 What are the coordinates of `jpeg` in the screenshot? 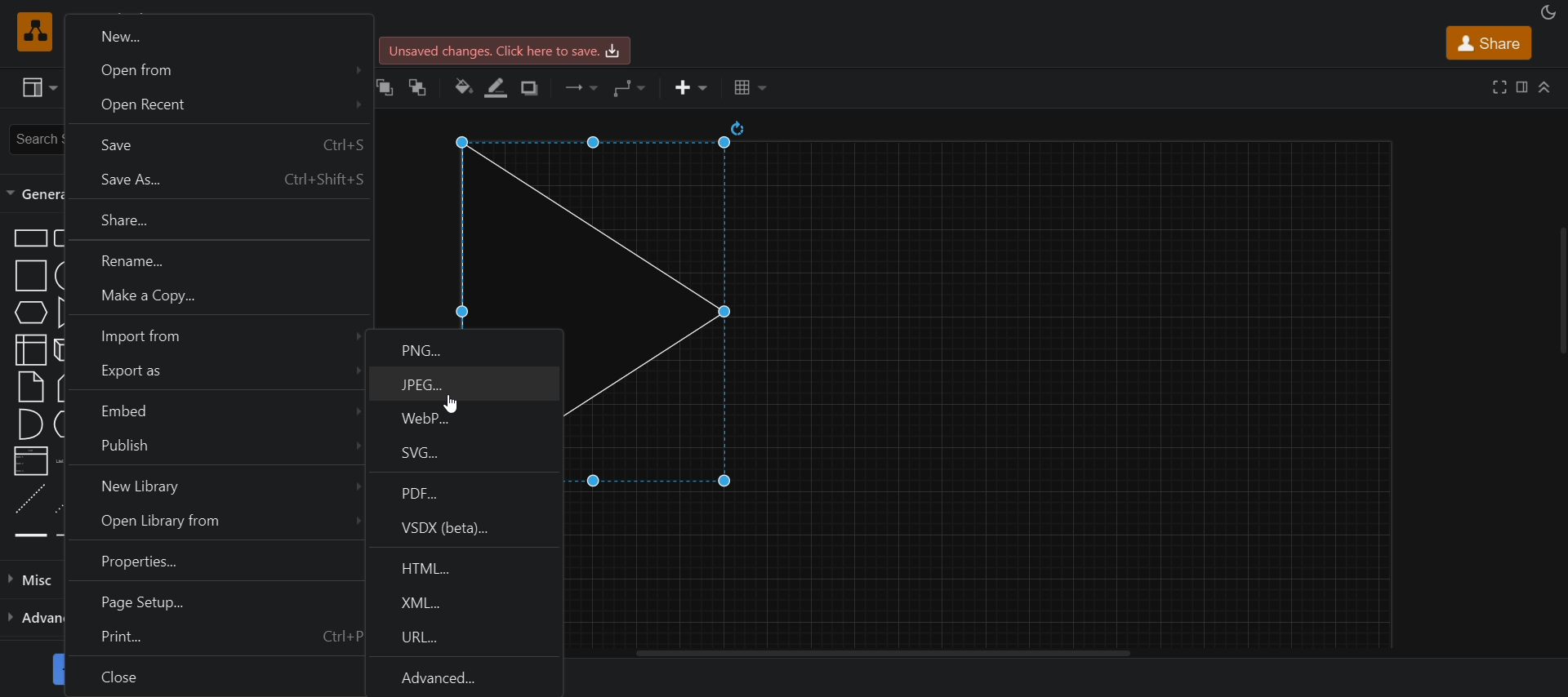 It's located at (466, 385).